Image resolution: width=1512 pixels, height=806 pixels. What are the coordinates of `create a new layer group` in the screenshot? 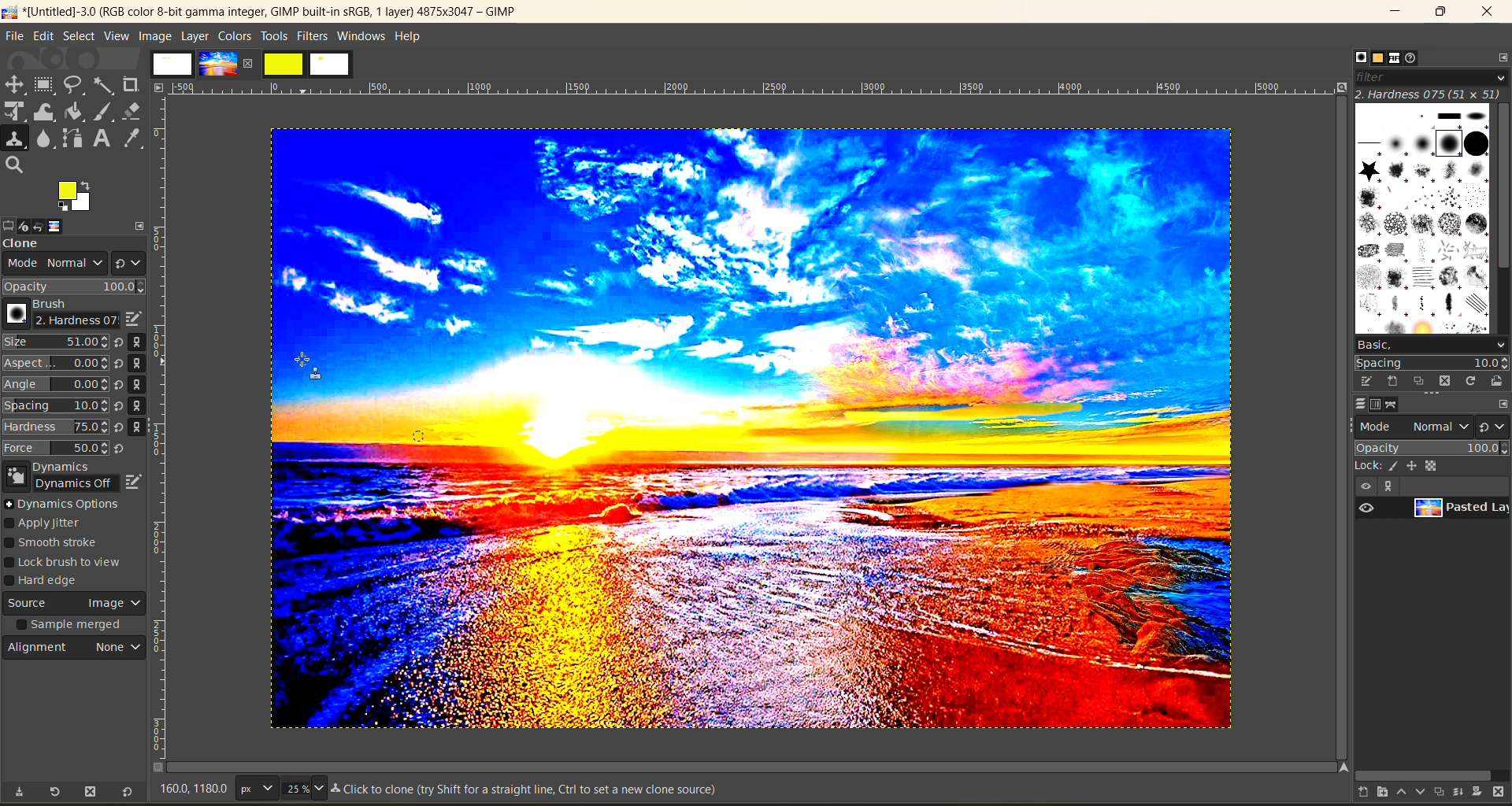 It's located at (1374, 793).